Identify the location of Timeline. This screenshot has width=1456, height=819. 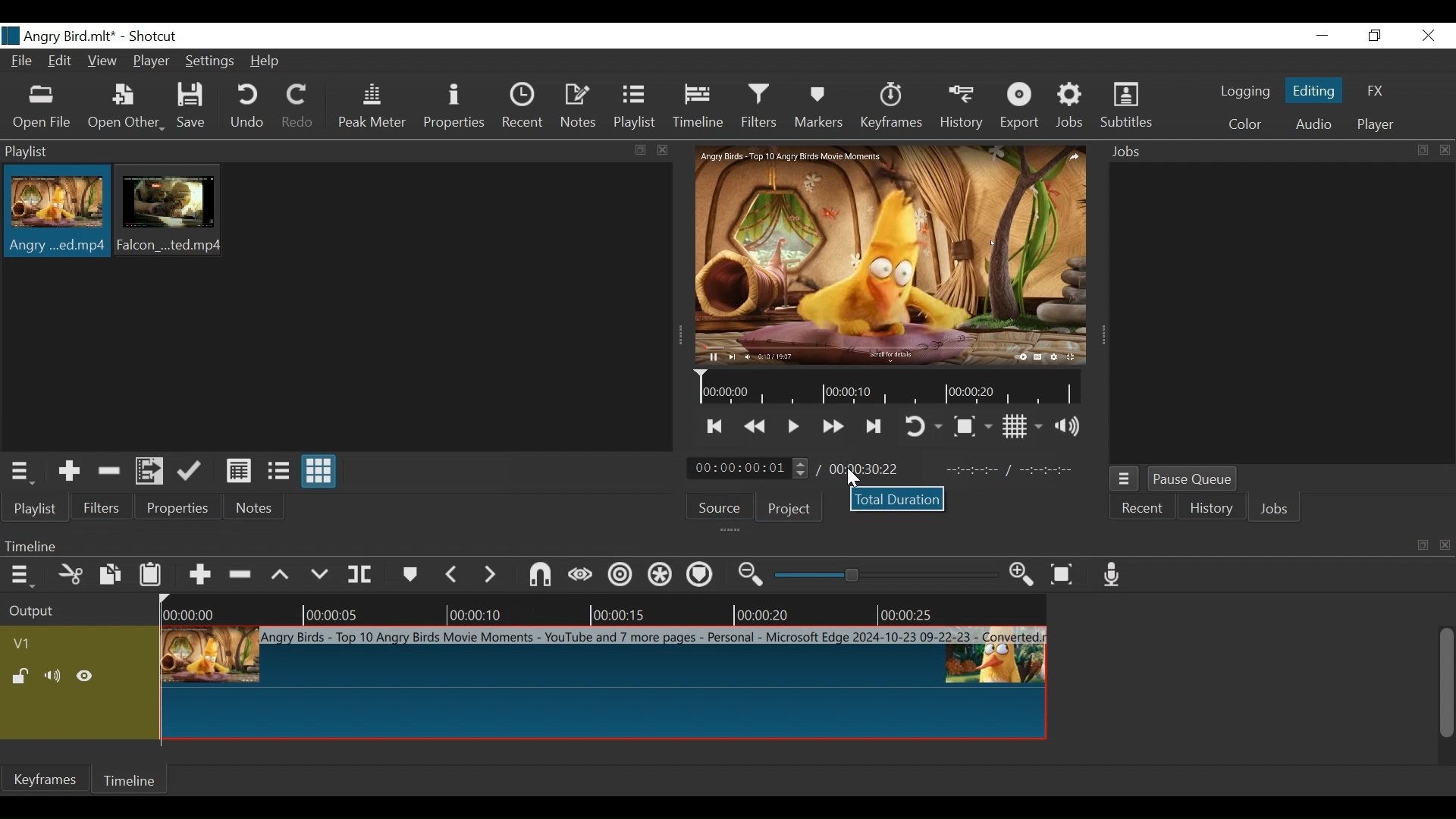
(699, 106).